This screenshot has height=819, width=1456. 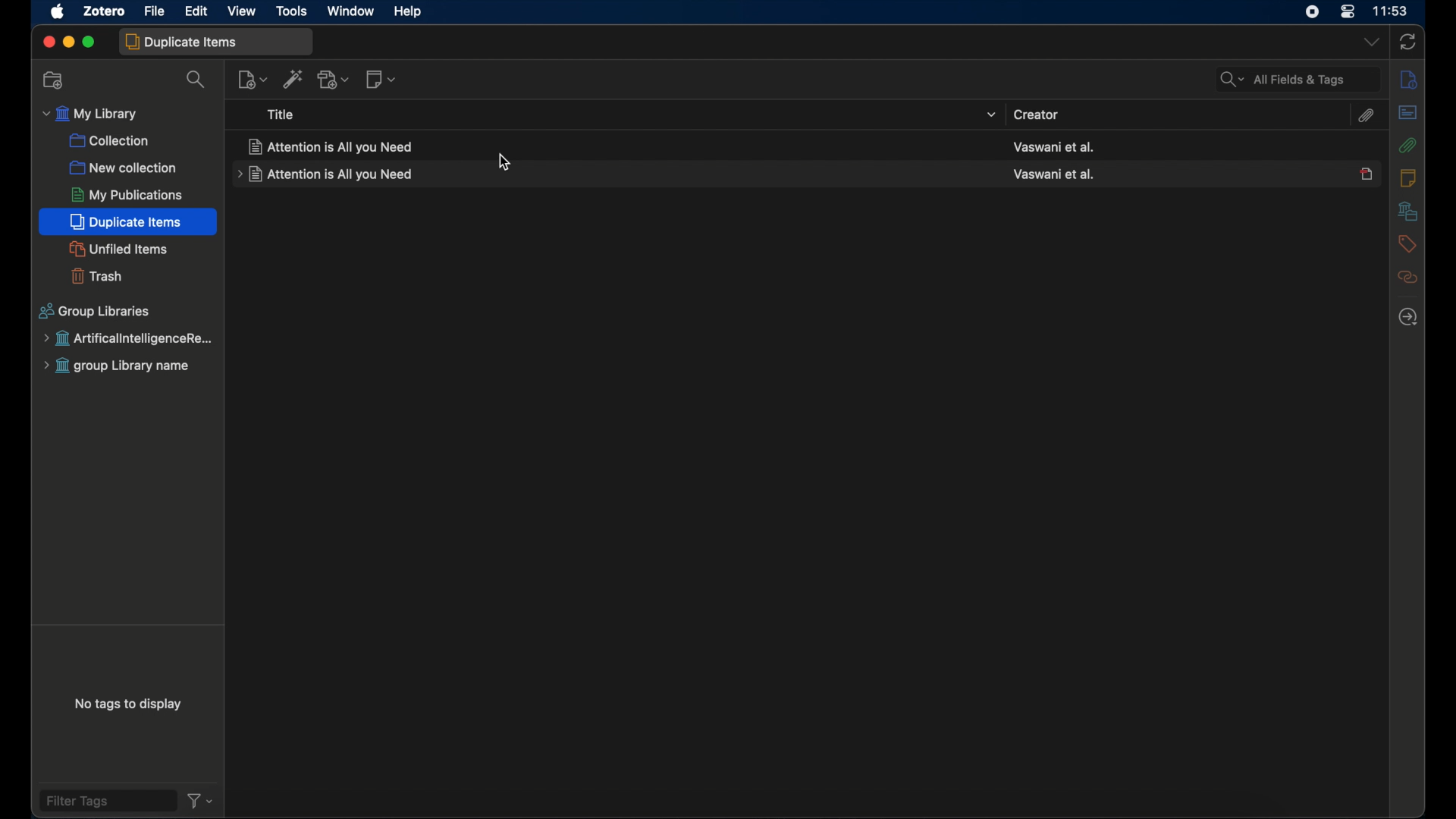 I want to click on zotero, so click(x=104, y=10).